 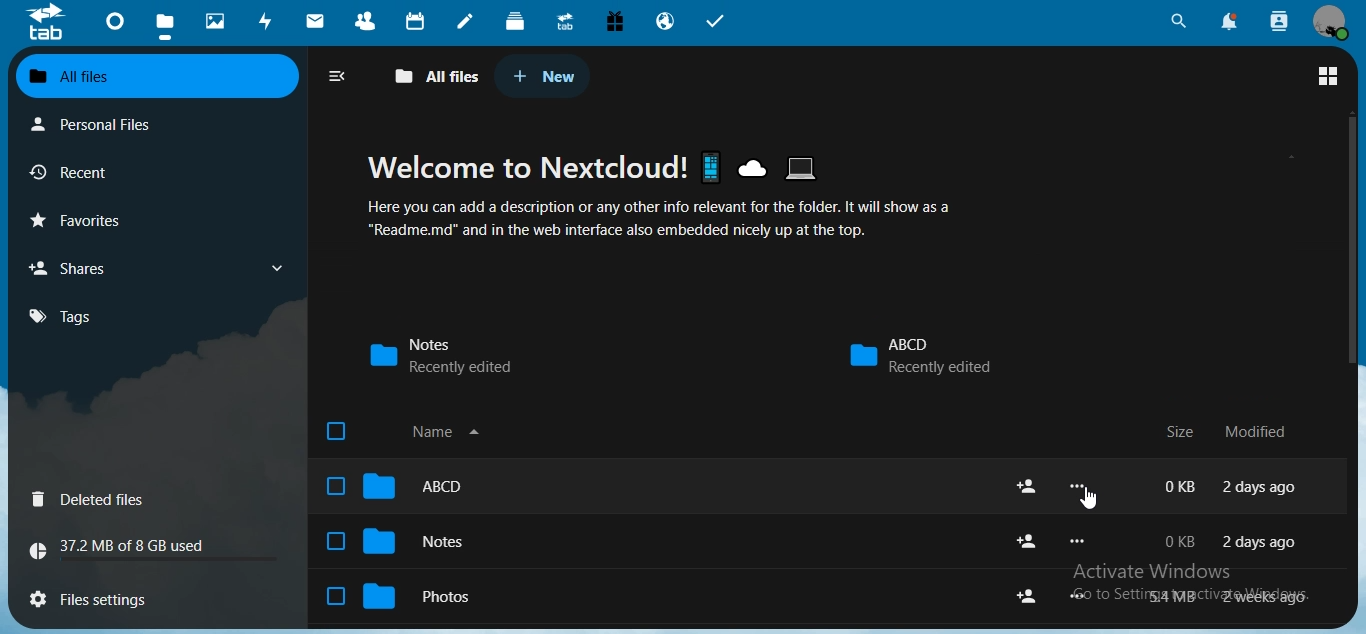 I want to click on size, so click(x=1183, y=432).